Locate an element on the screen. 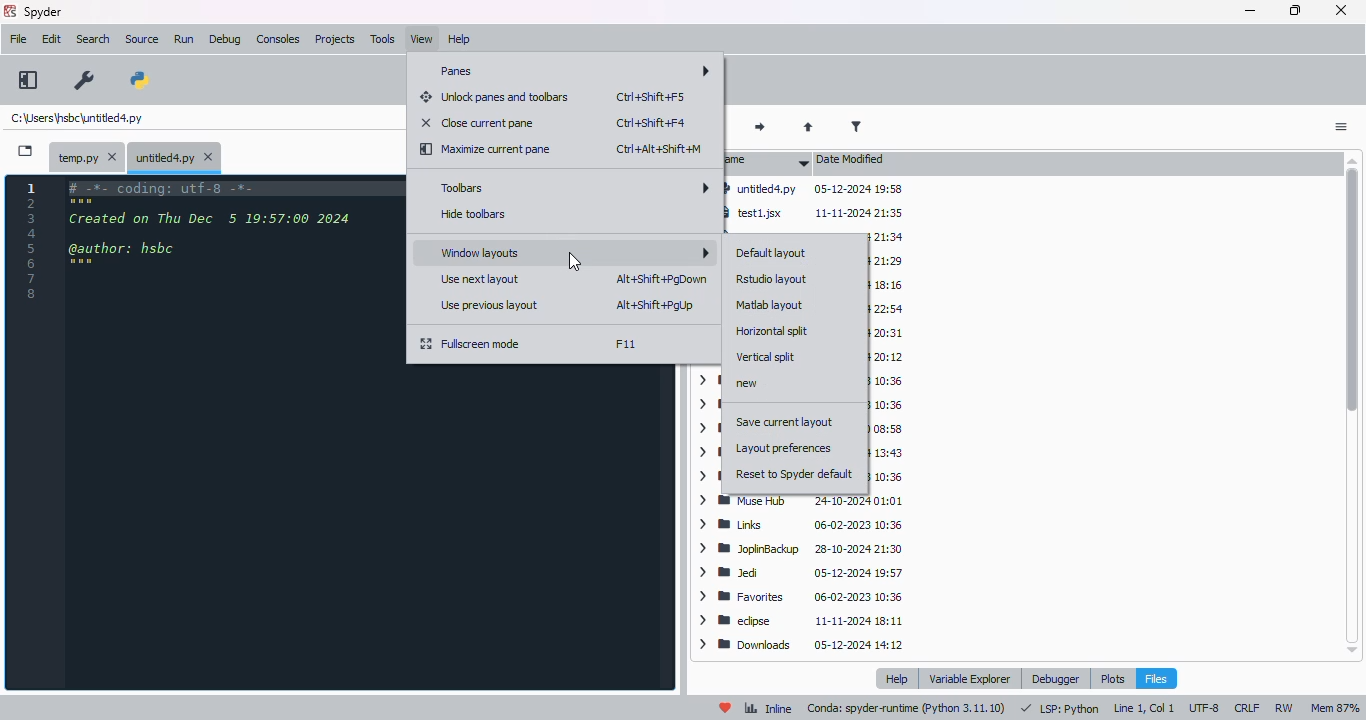  new is located at coordinates (749, 384).